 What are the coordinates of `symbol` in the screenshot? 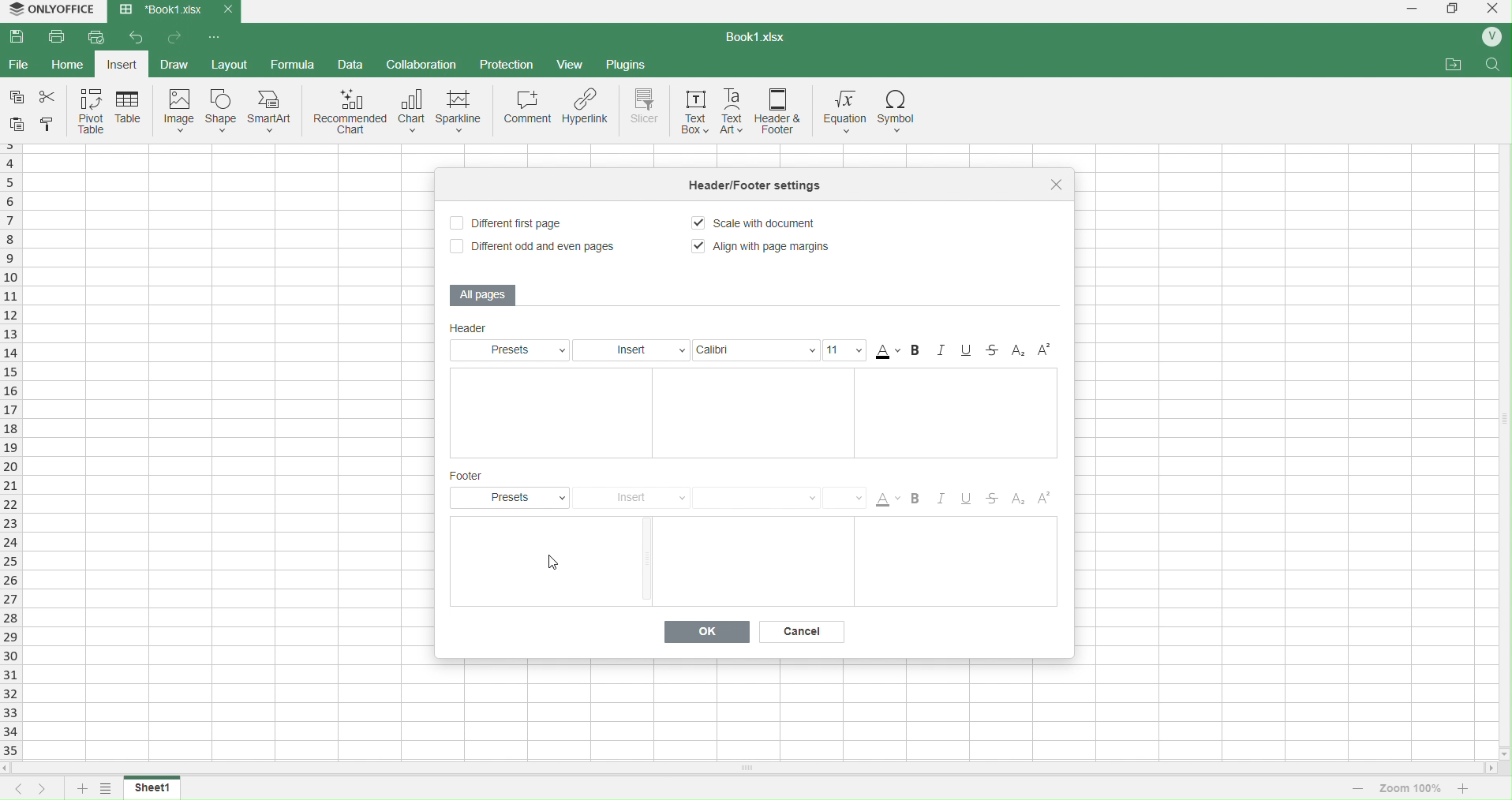 It's located at (896, 111).